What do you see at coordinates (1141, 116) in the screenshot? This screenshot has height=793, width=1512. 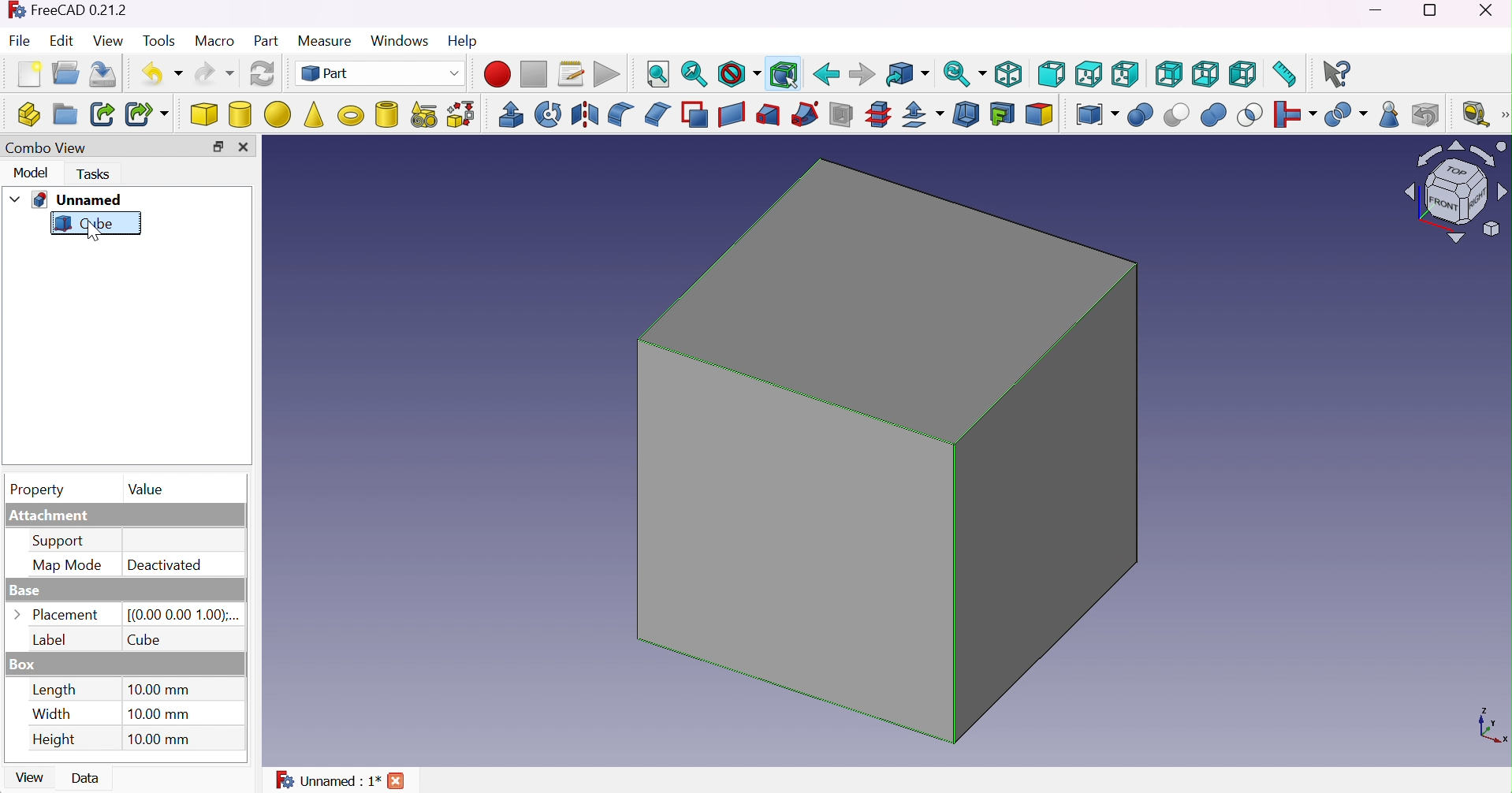 I see `Union ` at bounding box center [1141, 116].